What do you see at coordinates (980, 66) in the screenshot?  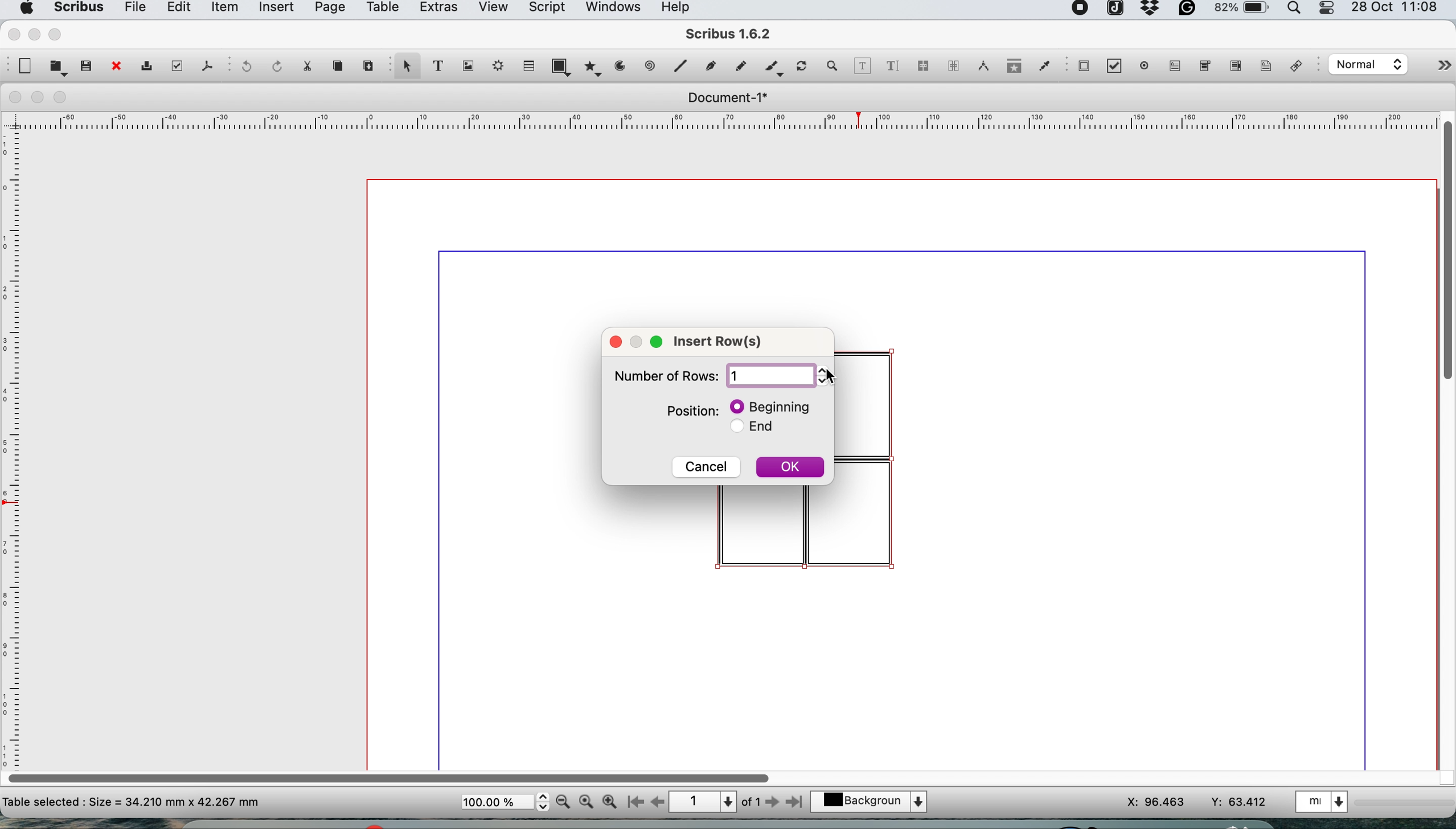 I see `measurements` at bounding box center [980, 66].